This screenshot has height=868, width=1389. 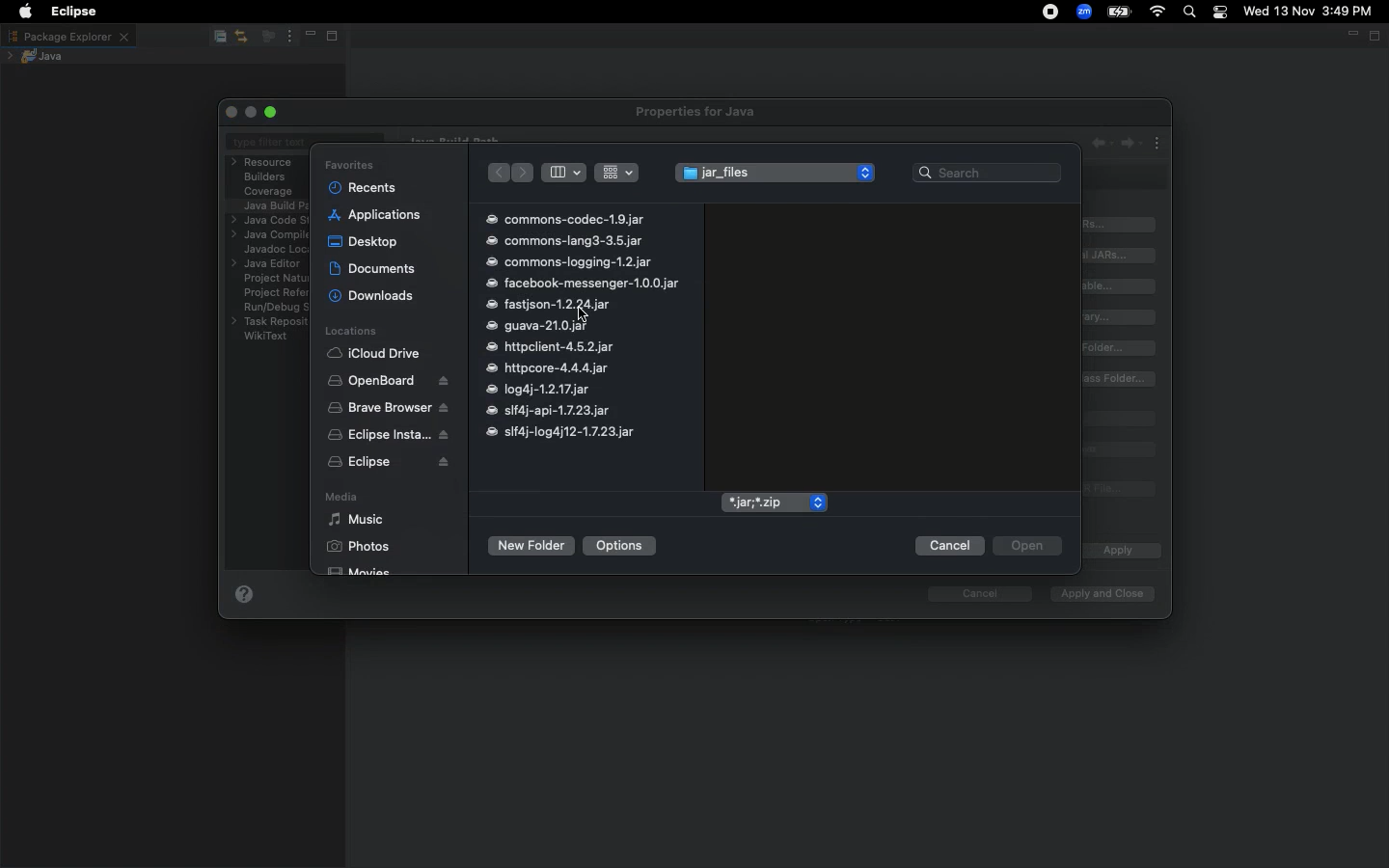 What do you see at coordinates (350, 332) in the screenshot?
I see `Locations` at bounding box center [350, 332].